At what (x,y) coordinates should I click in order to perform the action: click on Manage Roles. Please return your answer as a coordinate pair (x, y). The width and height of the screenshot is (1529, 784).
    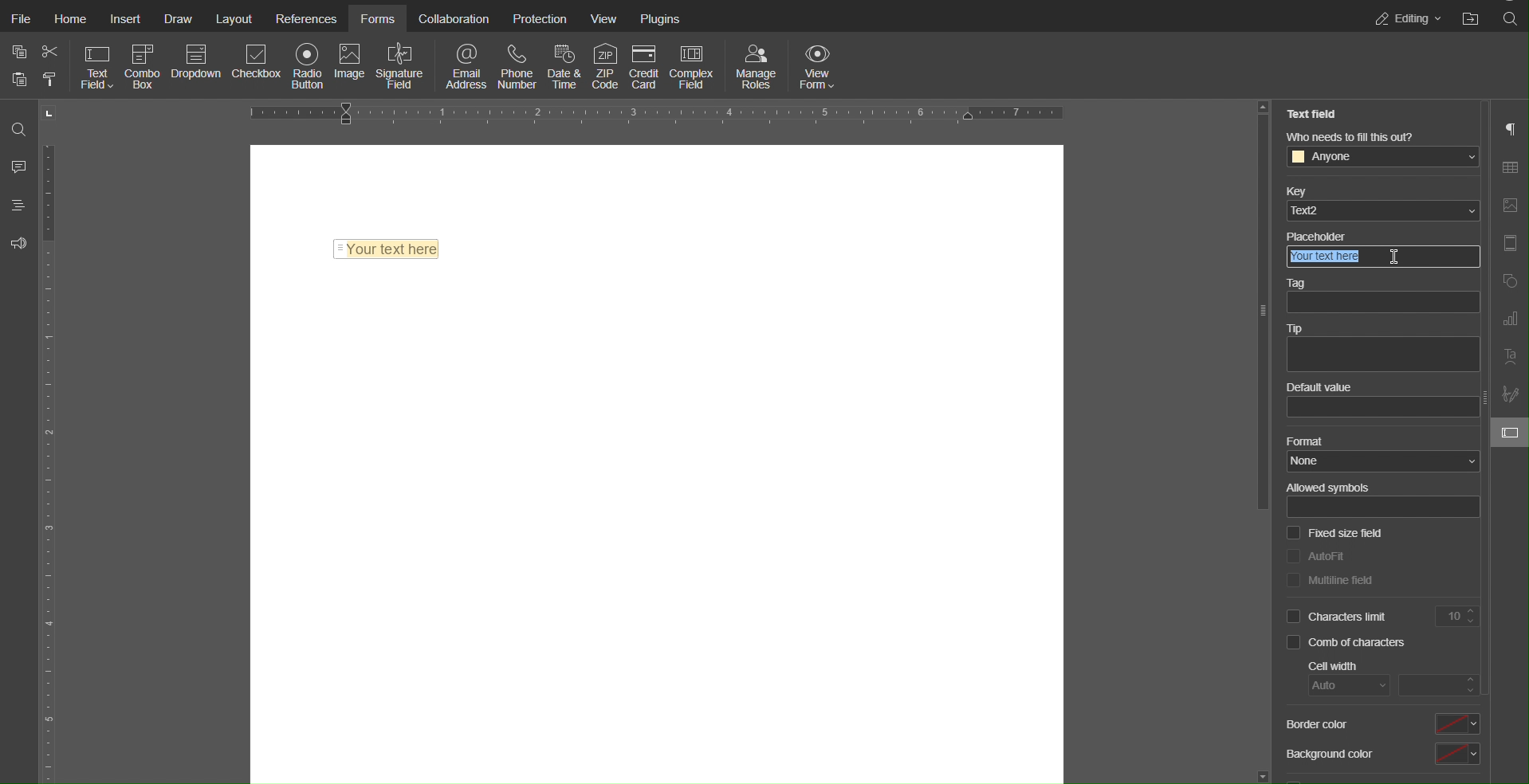
    Looking at the image, I should click on (757, 66).